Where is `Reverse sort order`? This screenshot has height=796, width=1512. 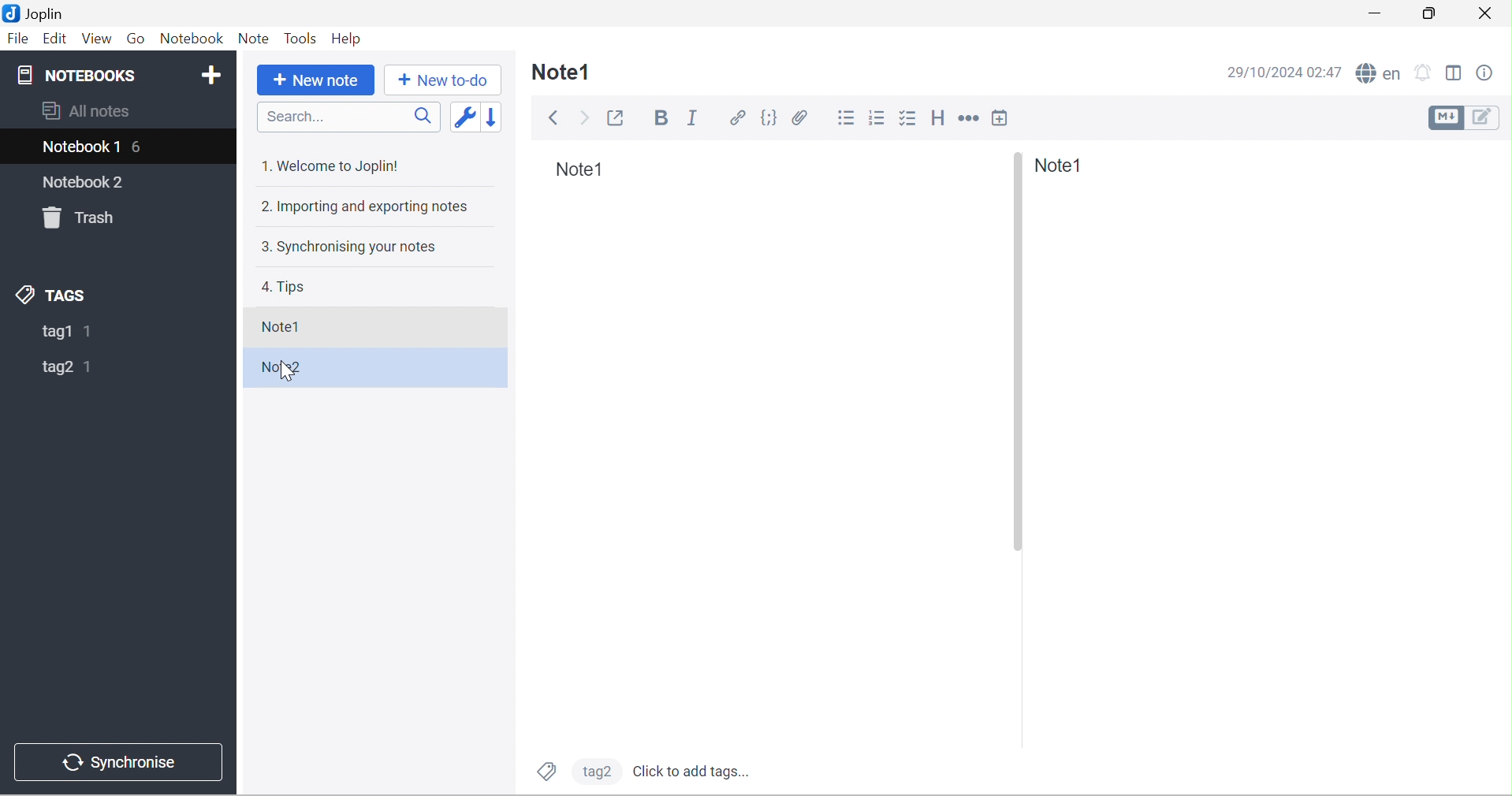
Reverse sort order is located at coordinates (492, 117).